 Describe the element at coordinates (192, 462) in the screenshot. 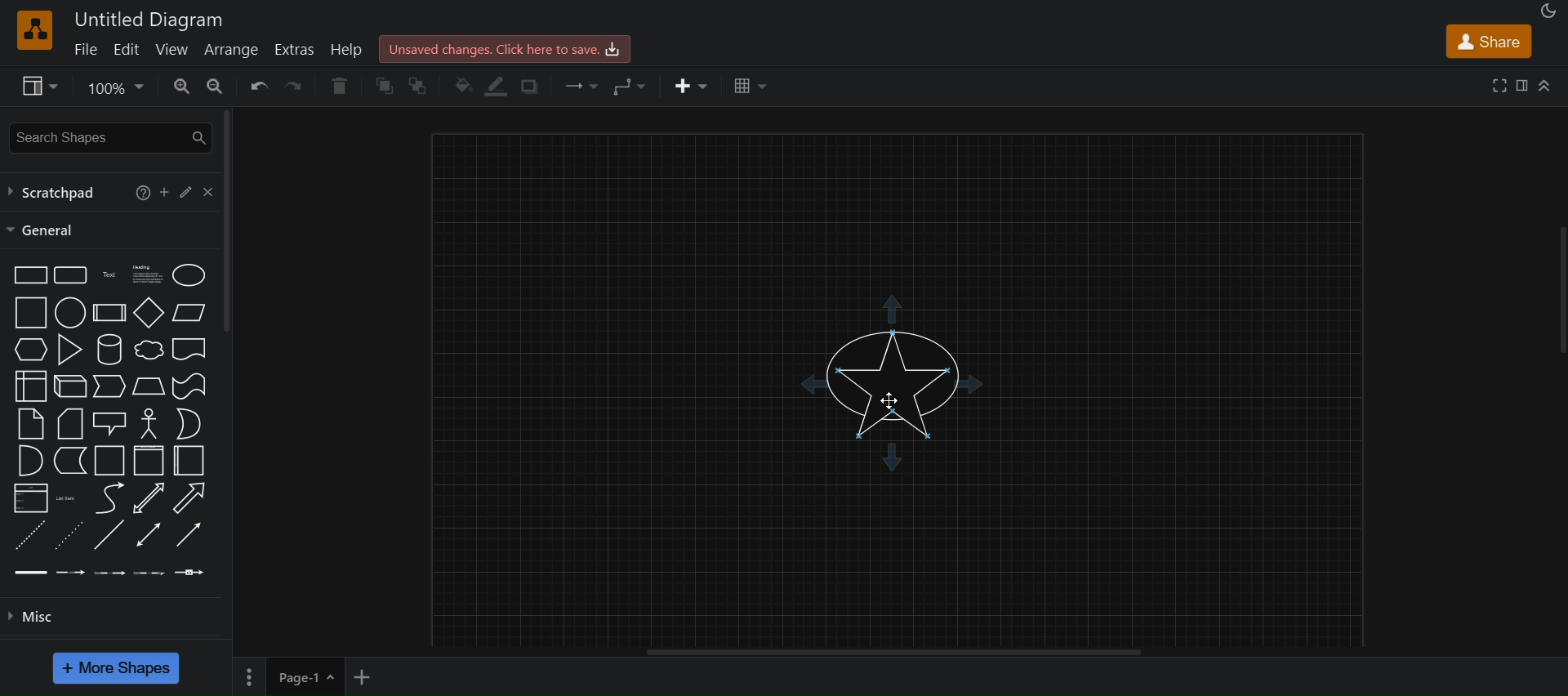

I see `container` at that location.